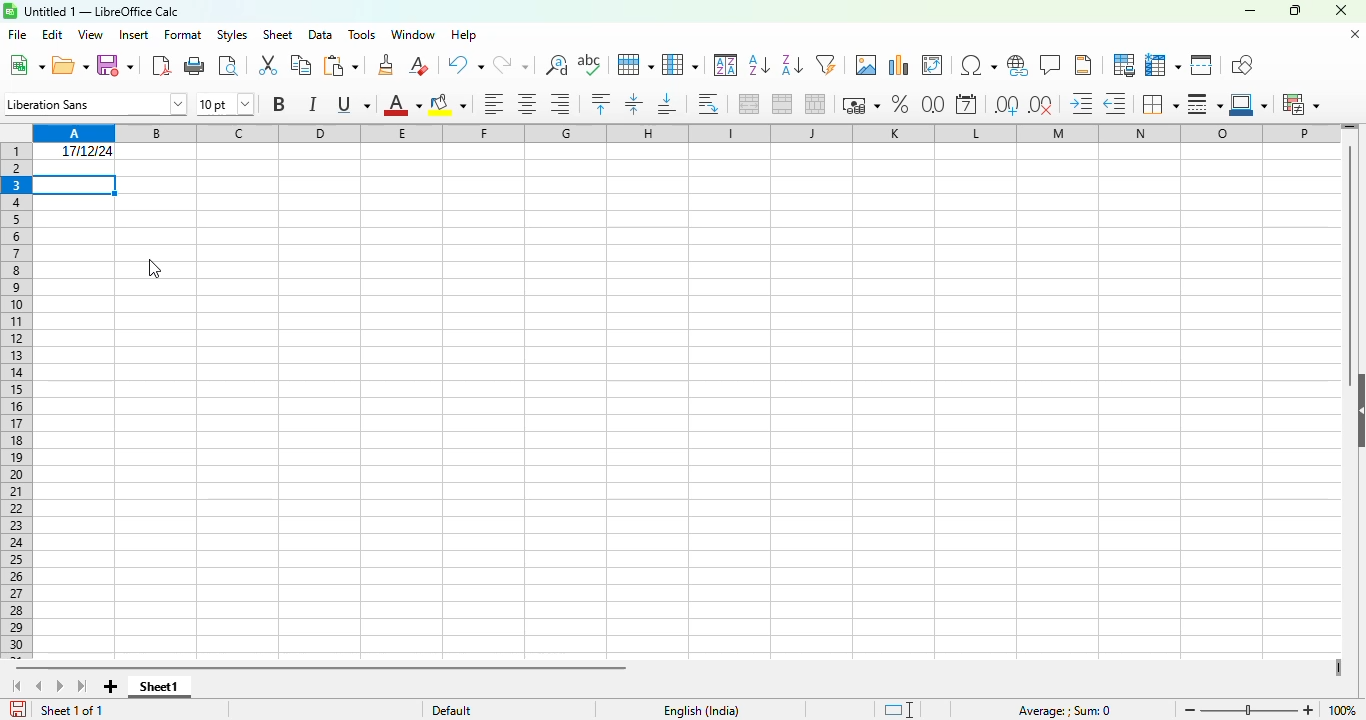 This screenshot has height=720, width=1366. What do you see at coordinates (114, 66) in the screenshot?
I see `save` at bounding box center [114, 66].